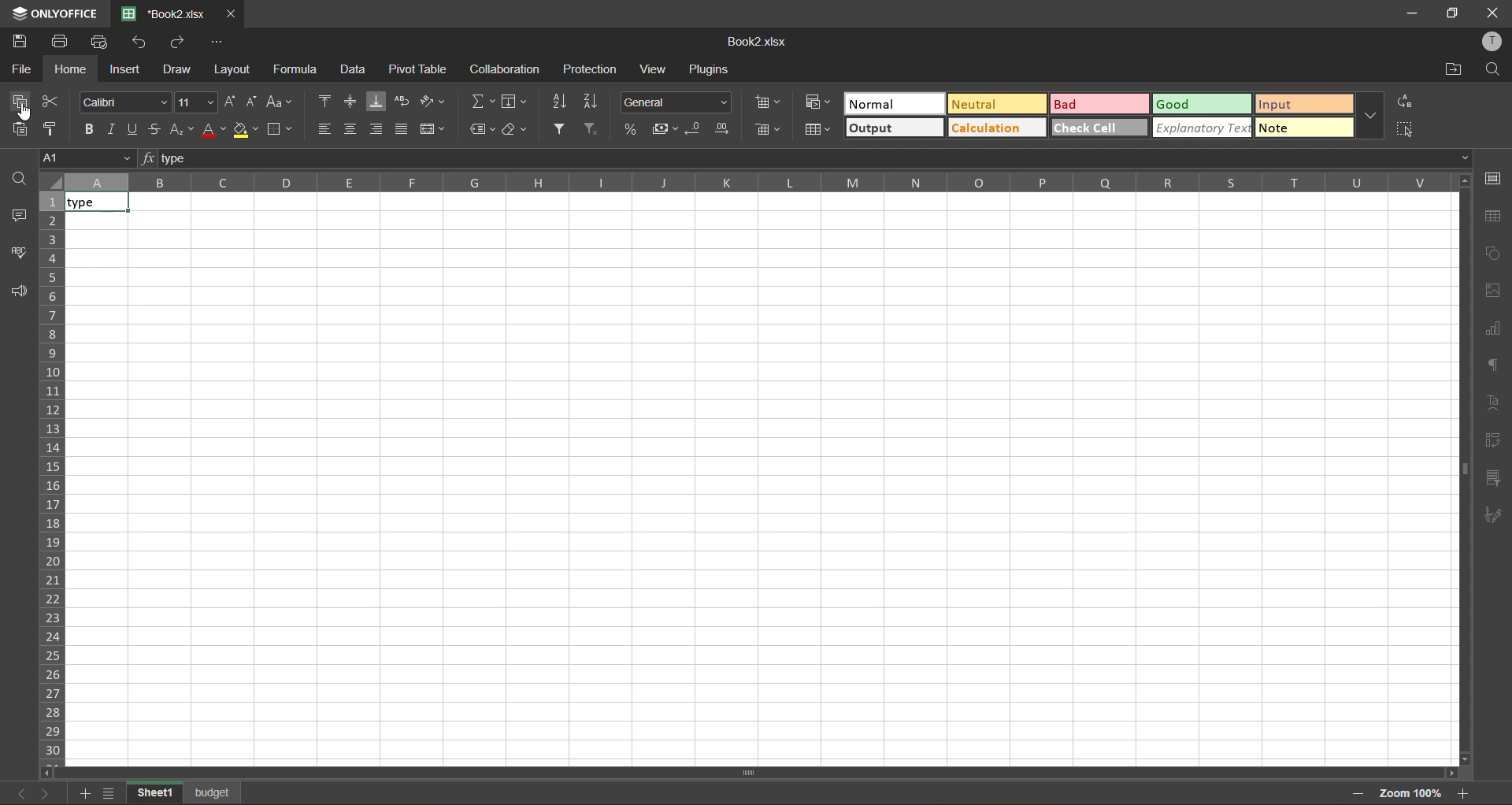 This screenshot has width=1512, height=805. I want to click on quick print, so click(102, 43).